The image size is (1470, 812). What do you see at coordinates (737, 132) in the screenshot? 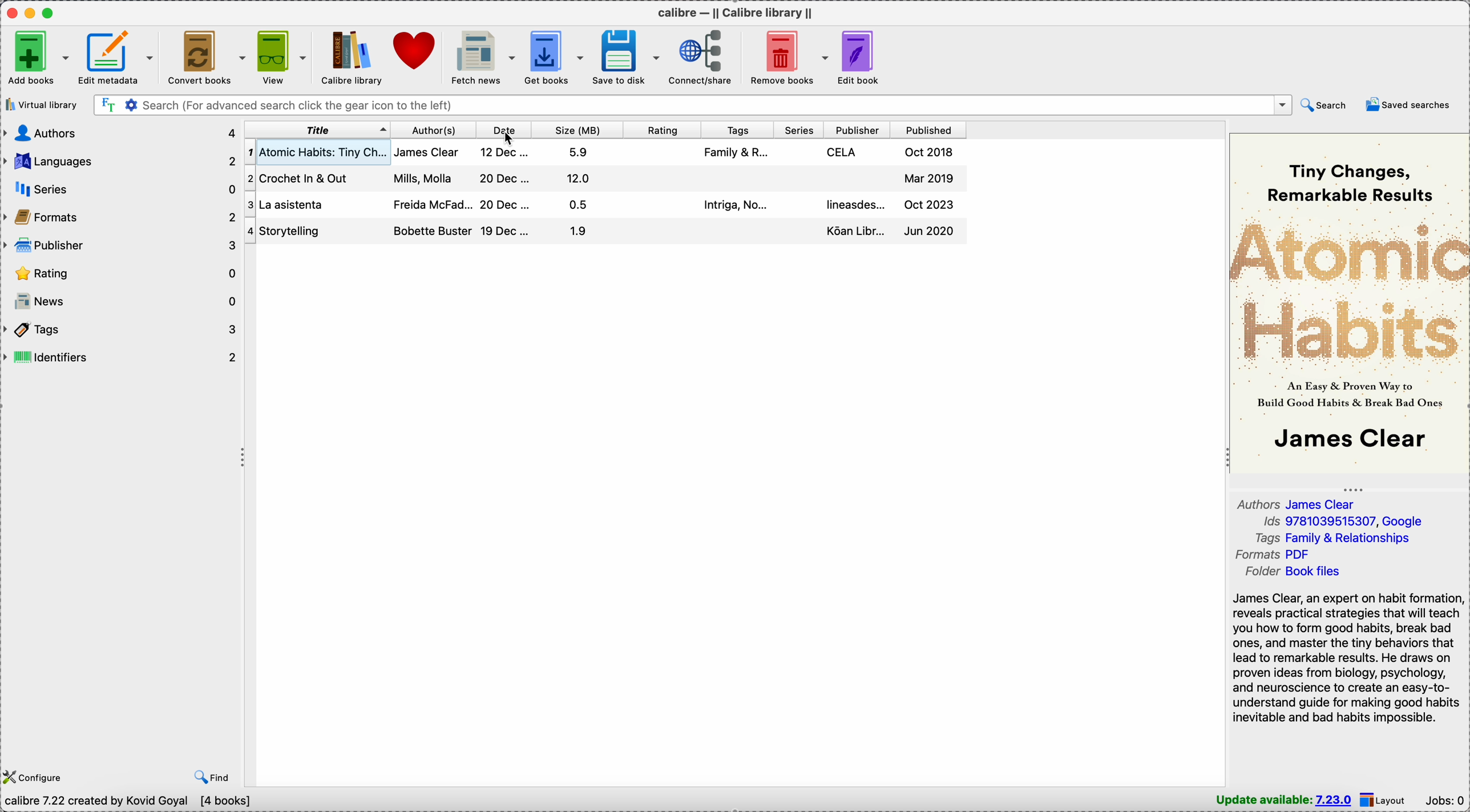
I see `tags` at bounding box center [737, 132].